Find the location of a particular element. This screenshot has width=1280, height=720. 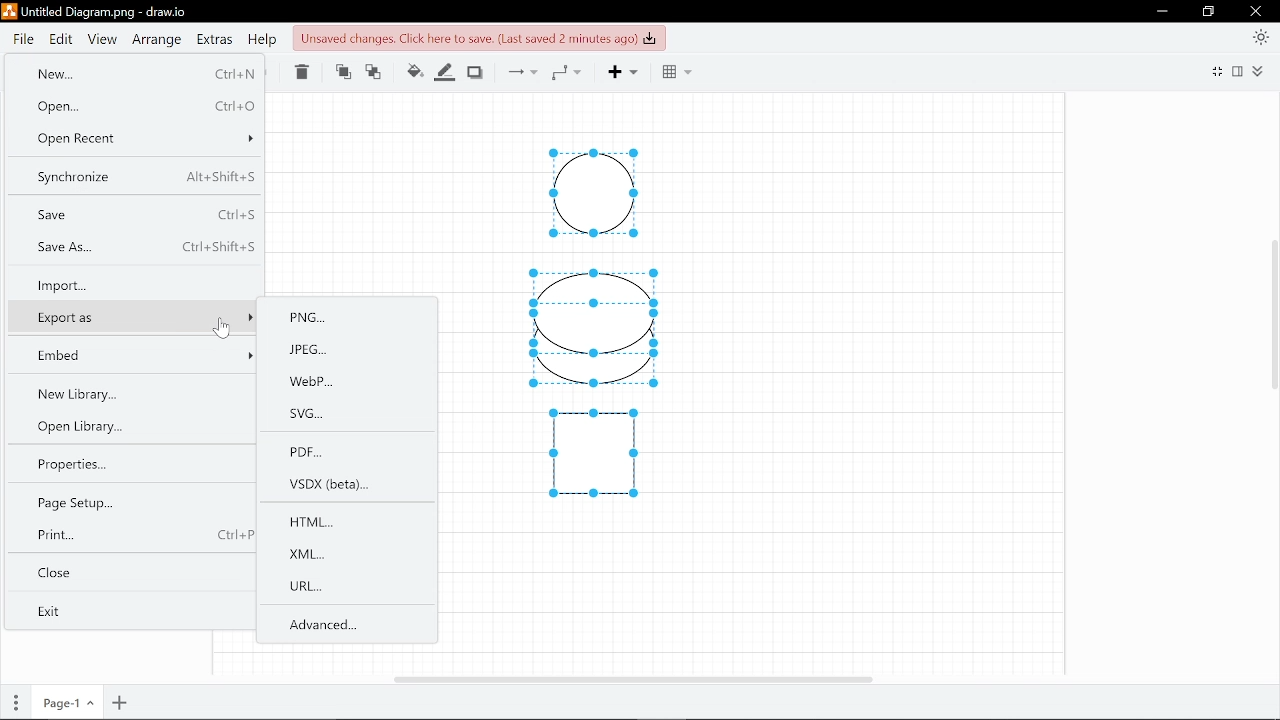

Click to save changes is located at coordinates (479, 38).